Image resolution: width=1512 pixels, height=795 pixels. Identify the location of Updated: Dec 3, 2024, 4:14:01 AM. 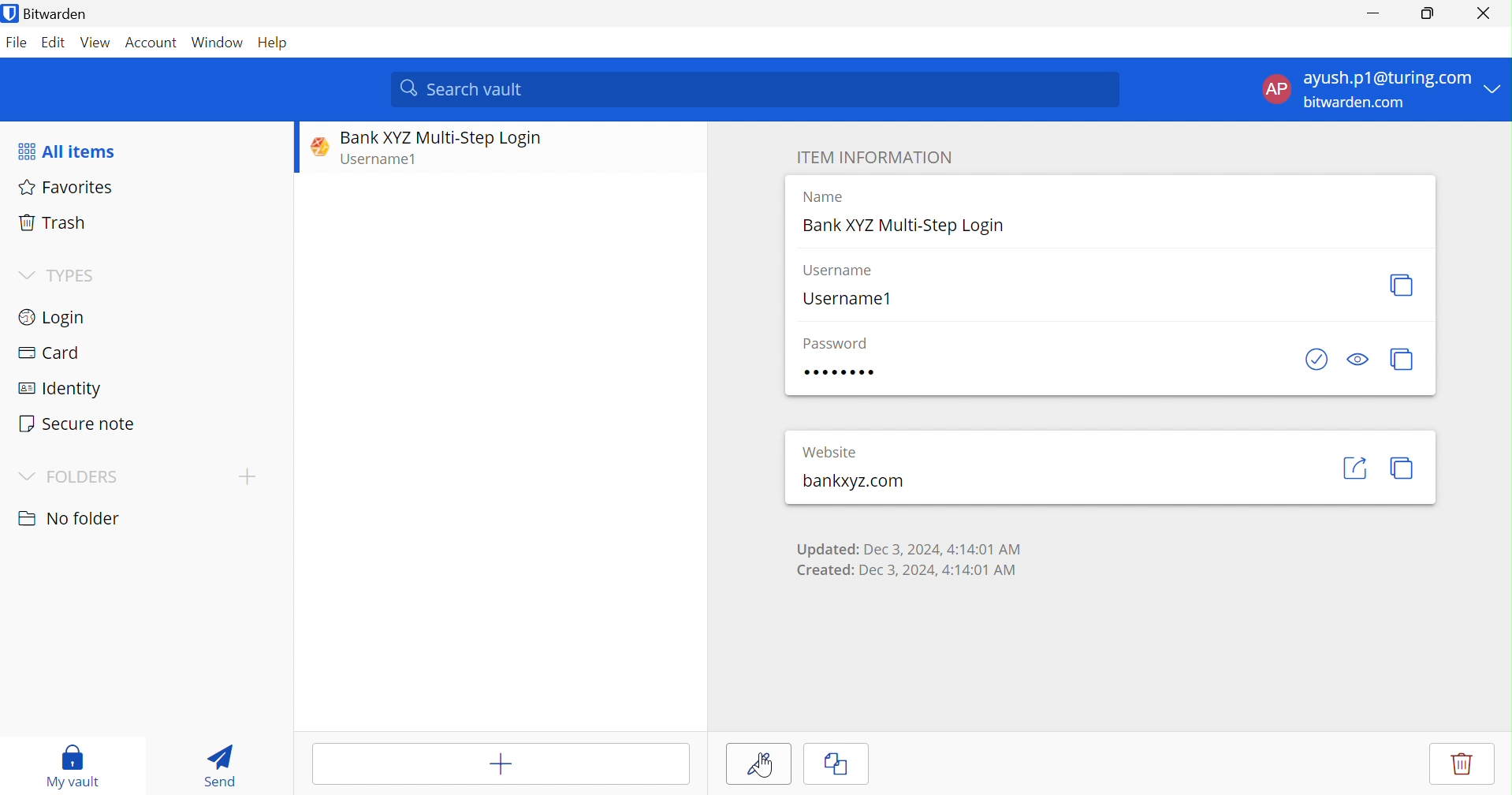
(911, 549).